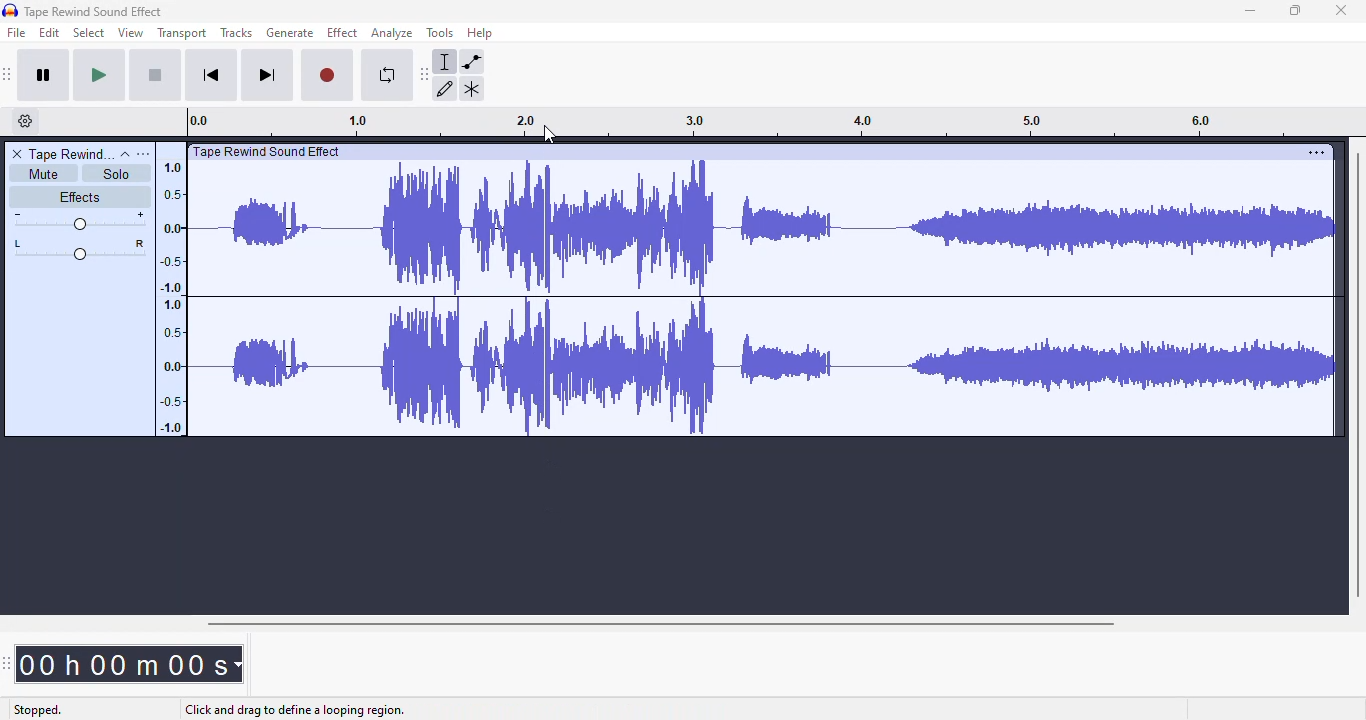 The width and height of the screenshot is (1366, 720). What do you see at coordinates (266, 152) in the screenshot?
I see `| Tape Rewind Sound Effect` at bounding box center [266, 152].